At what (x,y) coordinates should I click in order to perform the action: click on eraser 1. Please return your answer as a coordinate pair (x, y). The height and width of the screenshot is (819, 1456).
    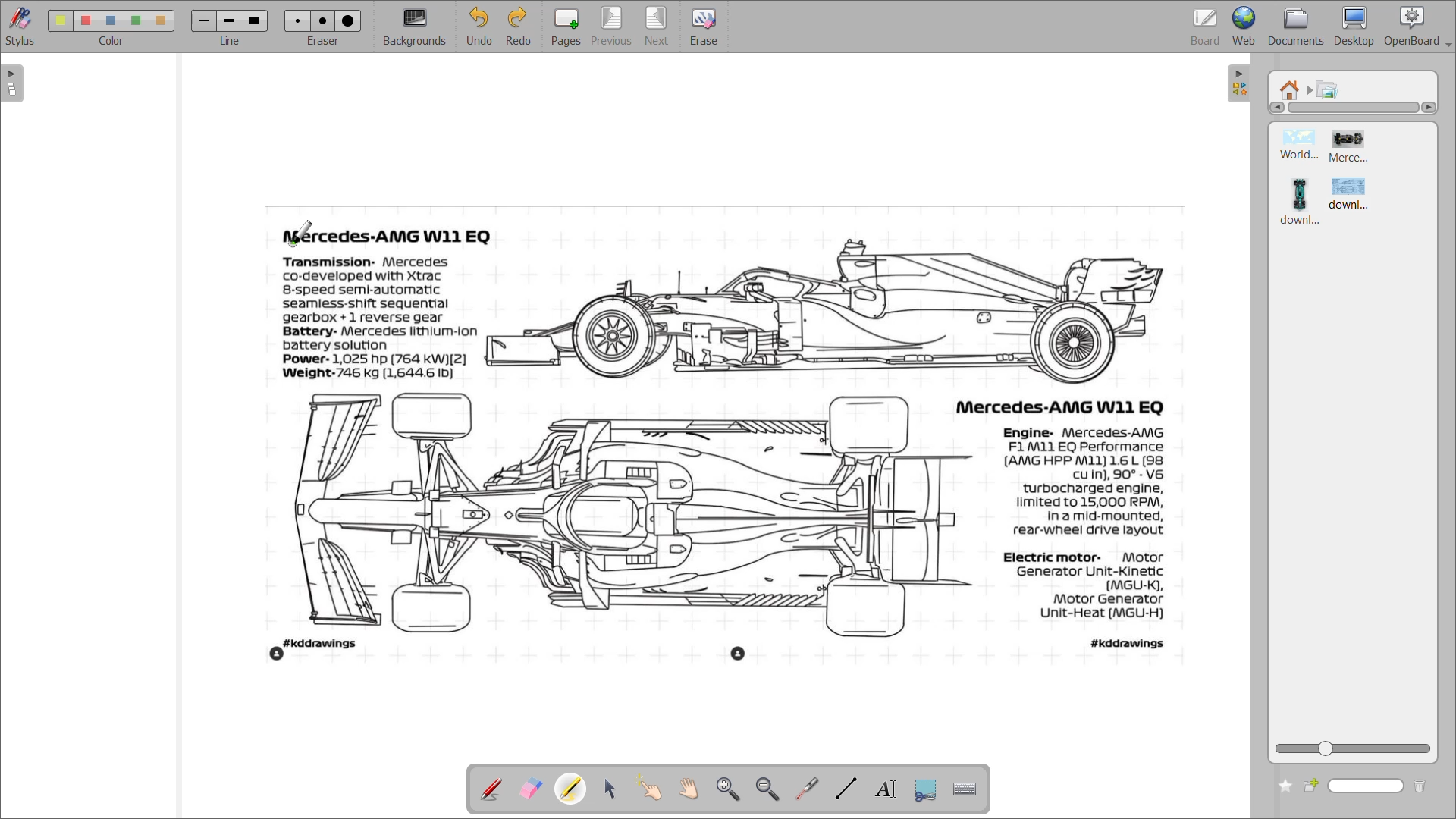
    Looking at the image, I should click on (298, 20).